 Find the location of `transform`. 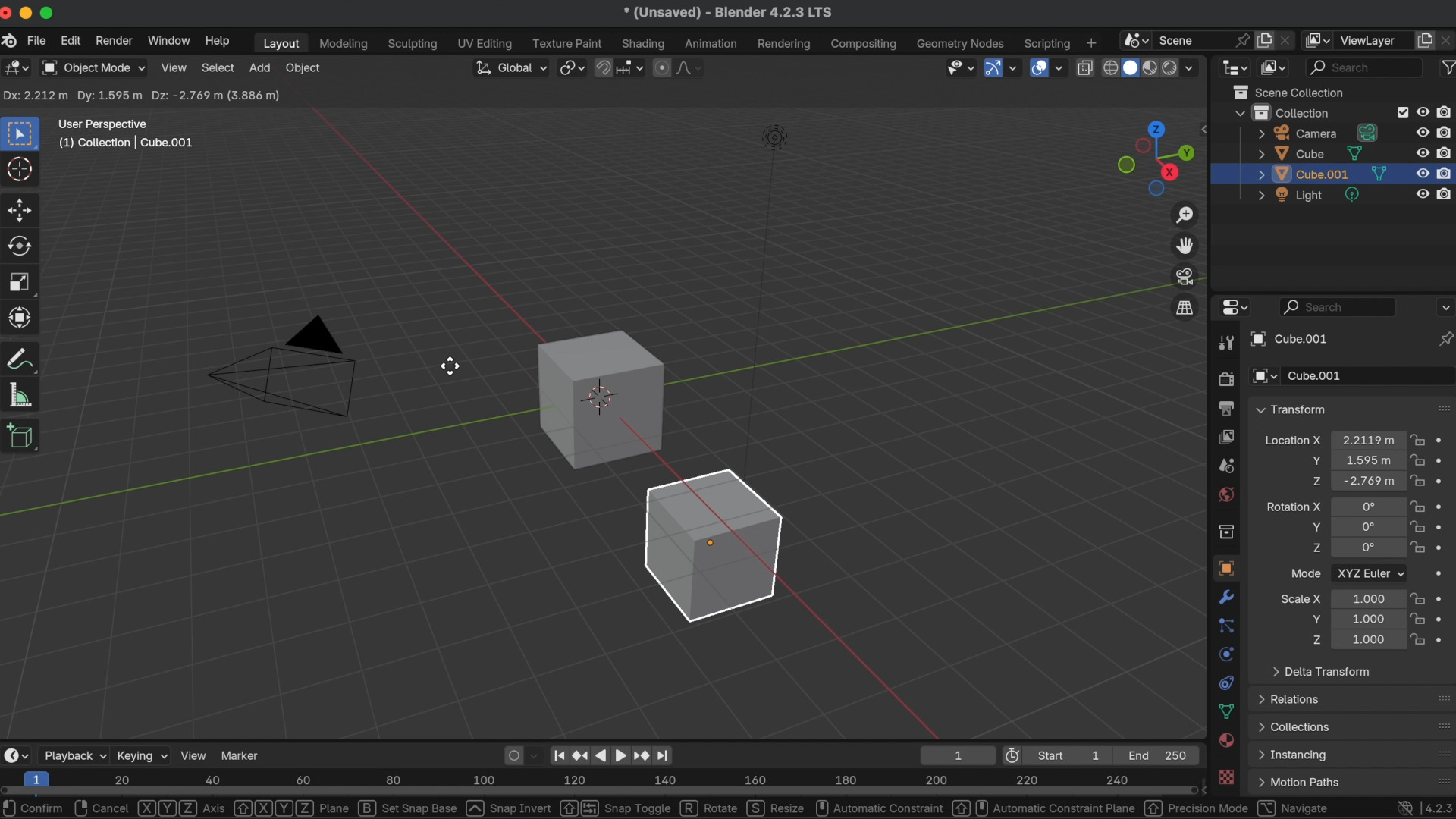

transform is located at coordinates (24, 359).